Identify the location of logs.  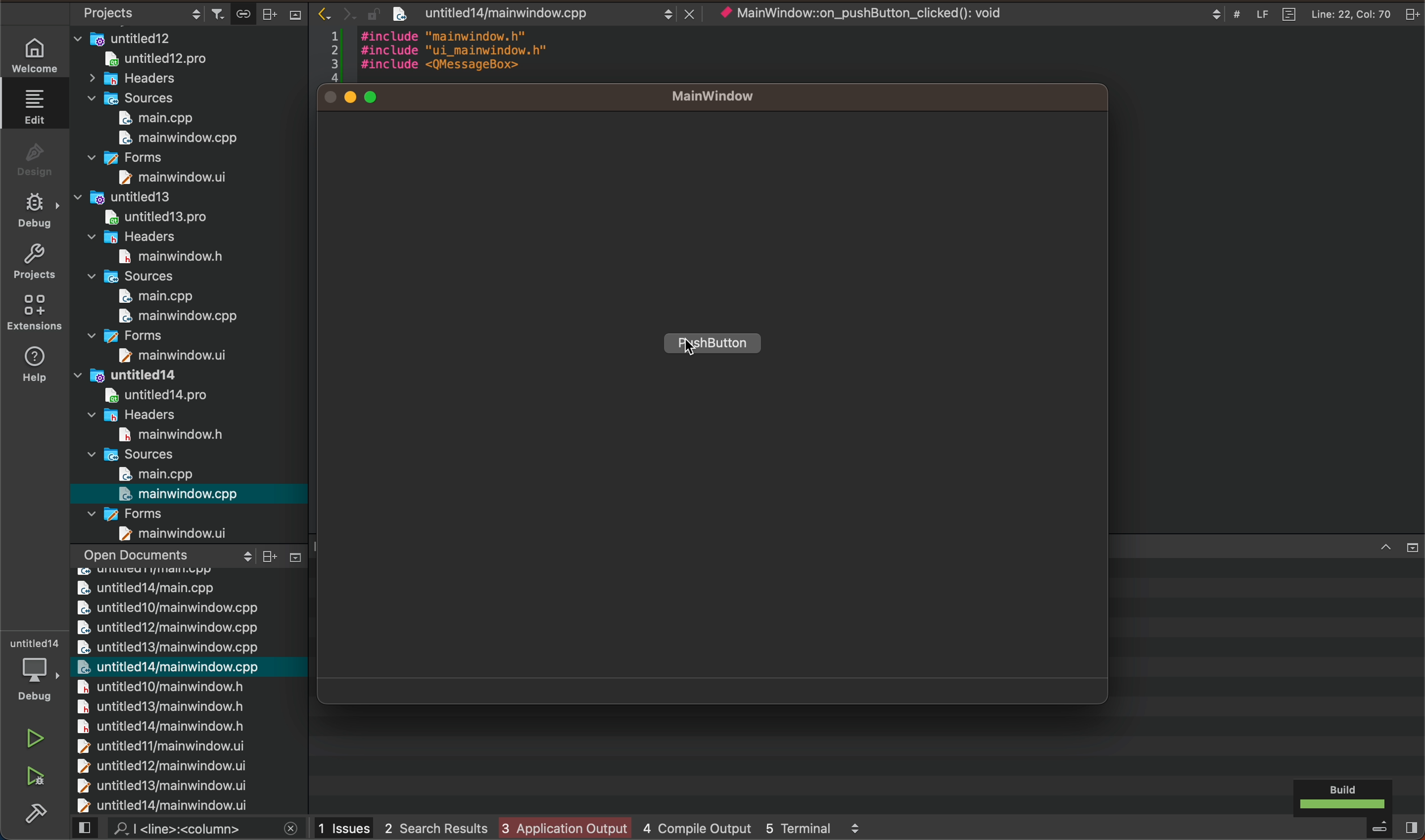
(591, 828).